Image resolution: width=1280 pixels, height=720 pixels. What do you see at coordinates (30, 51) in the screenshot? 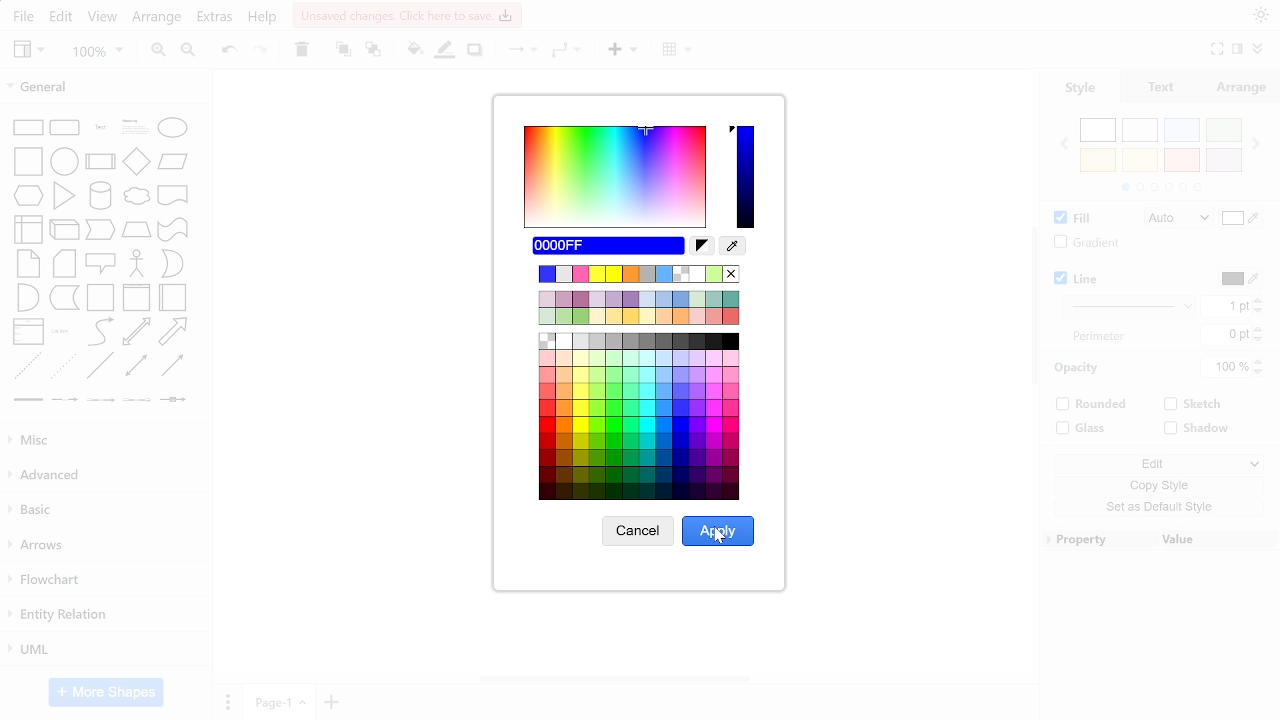
I see `view` at bounding box center [30, 51].